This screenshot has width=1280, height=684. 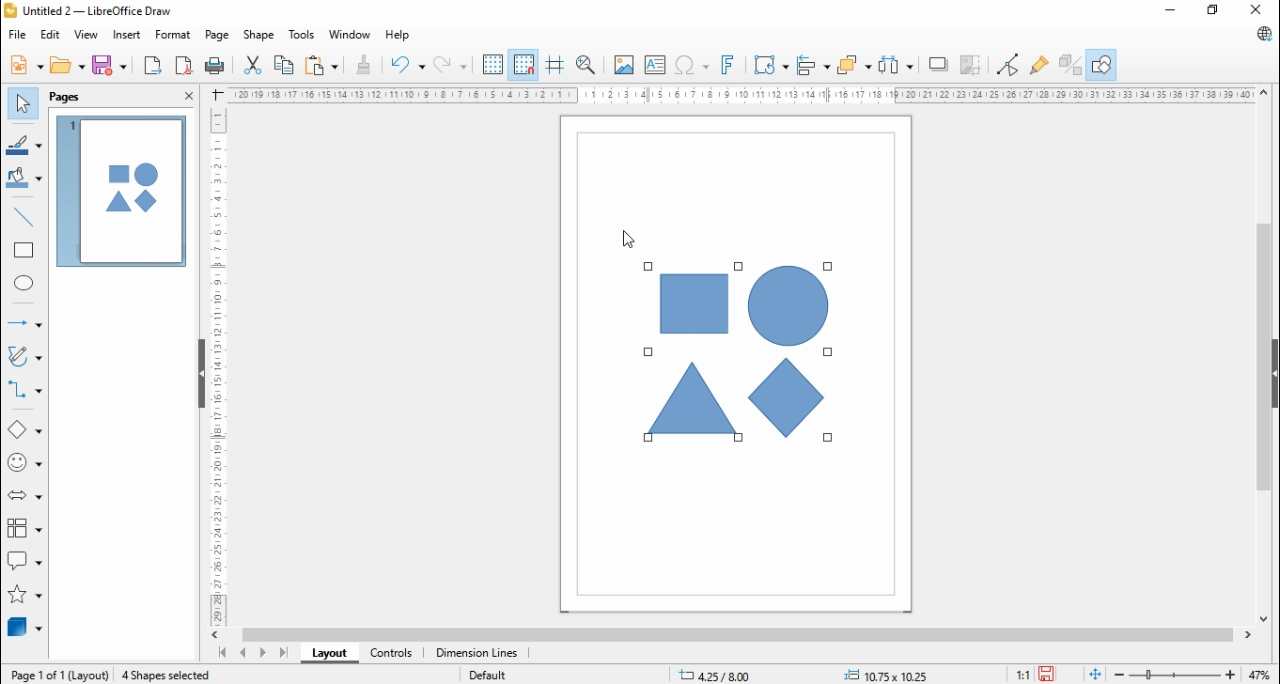 I want to click on undo, so click(x=408, y=66).